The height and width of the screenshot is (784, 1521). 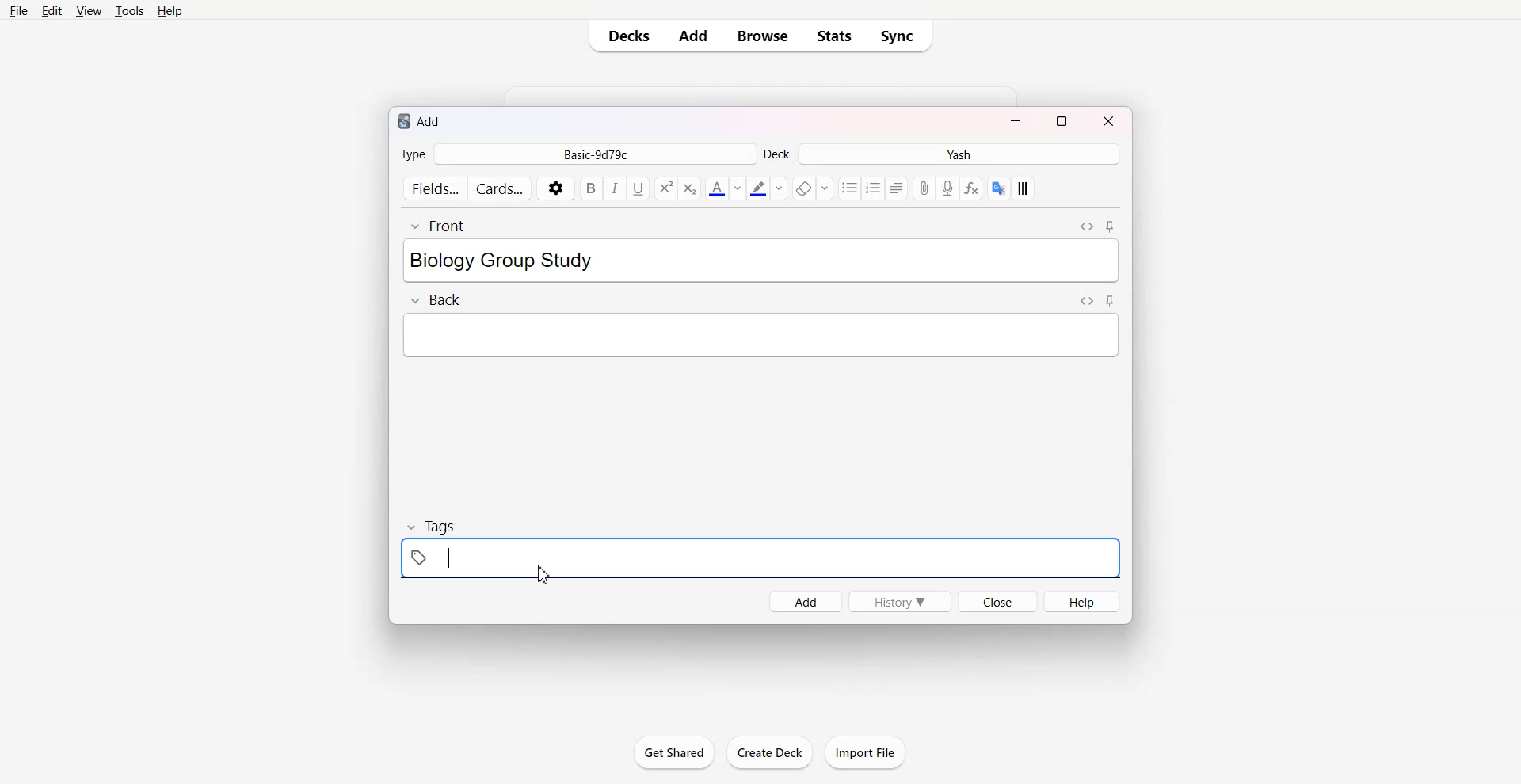 I want to click on Subscript, so click(x=665, y=188).